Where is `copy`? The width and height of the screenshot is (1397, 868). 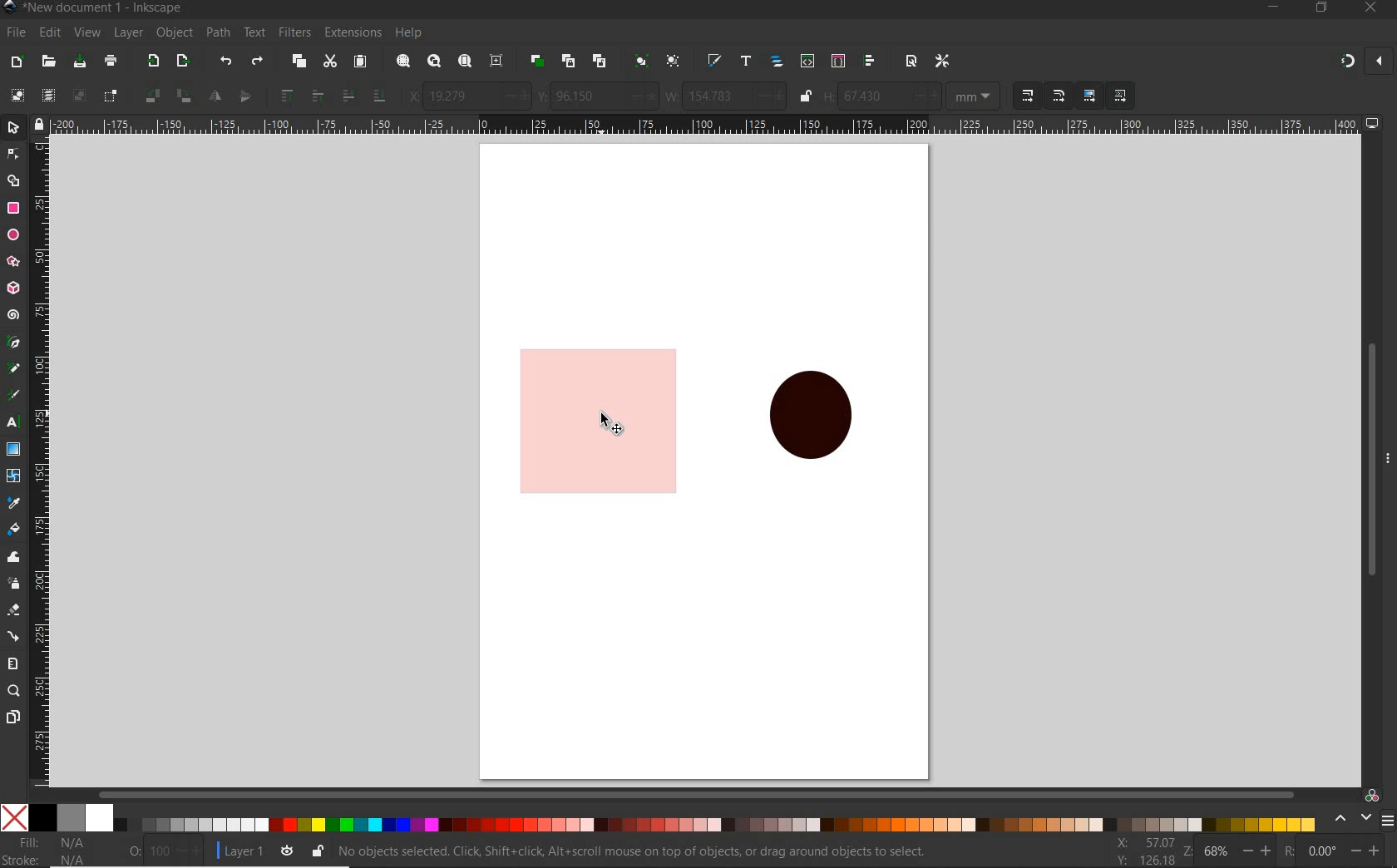
copy is located at coordinates (299, 62).